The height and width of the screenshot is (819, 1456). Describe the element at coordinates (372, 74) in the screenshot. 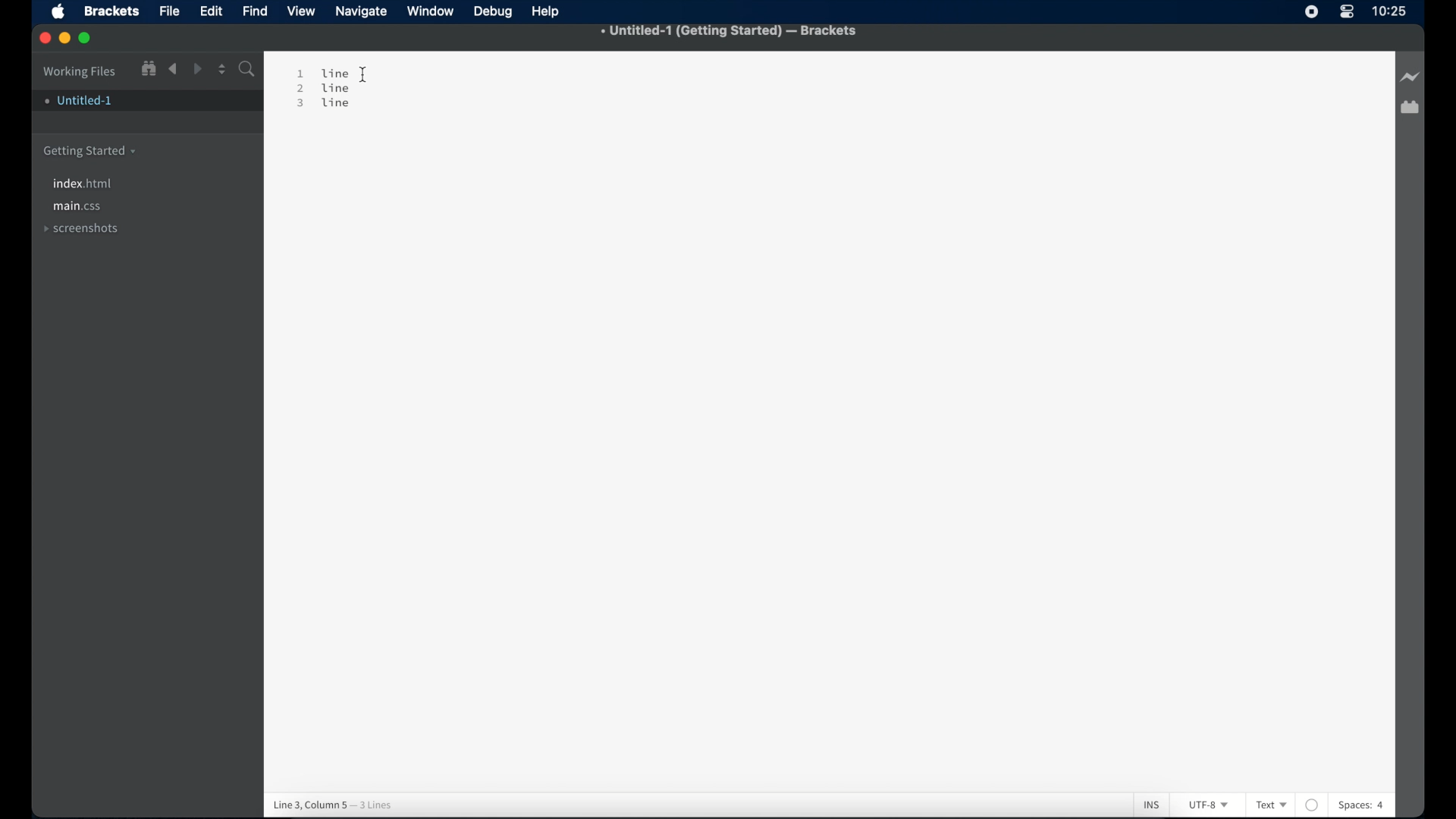

I see `I beam cursor` at that location.